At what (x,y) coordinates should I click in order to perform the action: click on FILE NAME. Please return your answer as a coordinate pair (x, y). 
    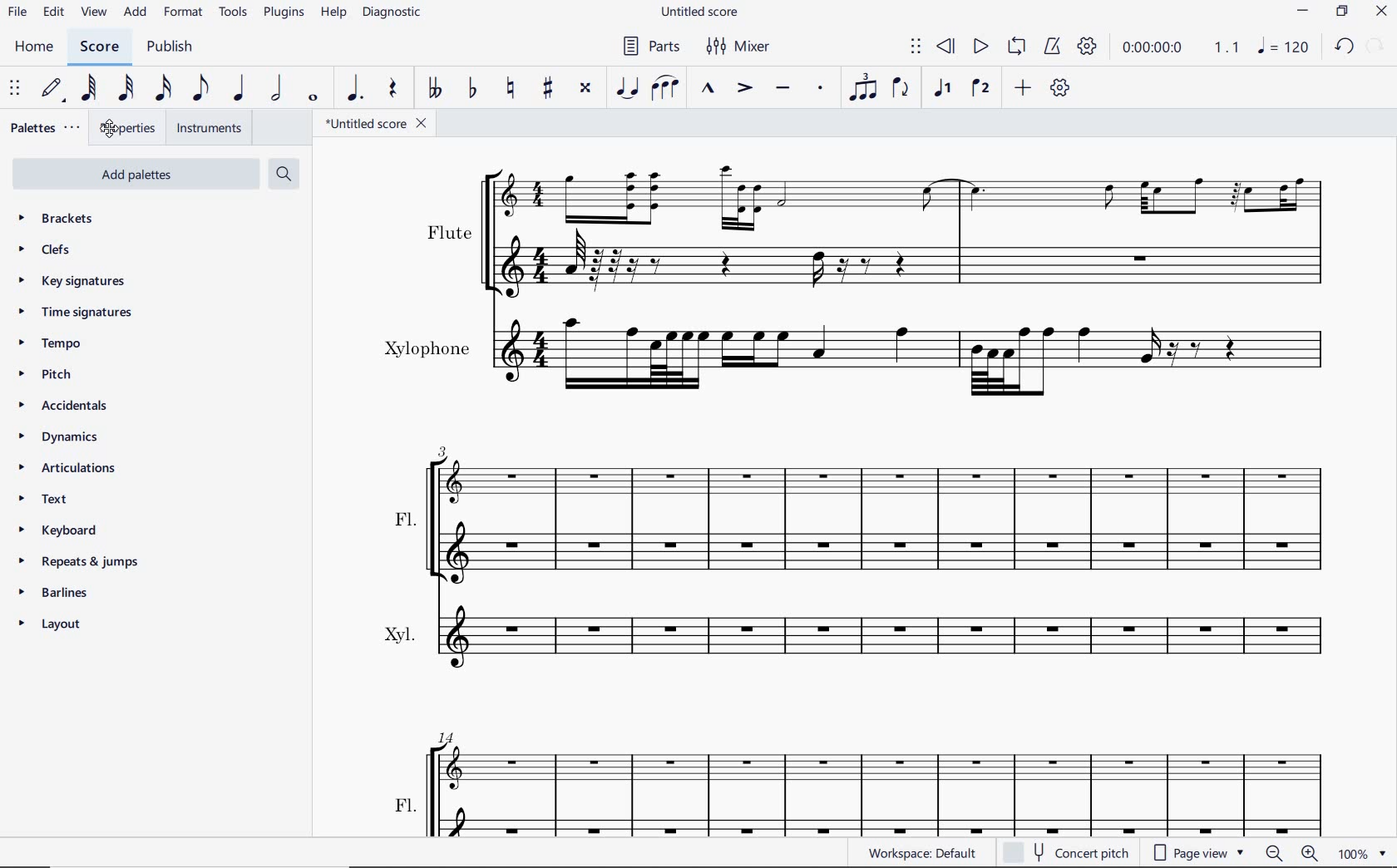
    Looking at the image, I should click on (378, 125).